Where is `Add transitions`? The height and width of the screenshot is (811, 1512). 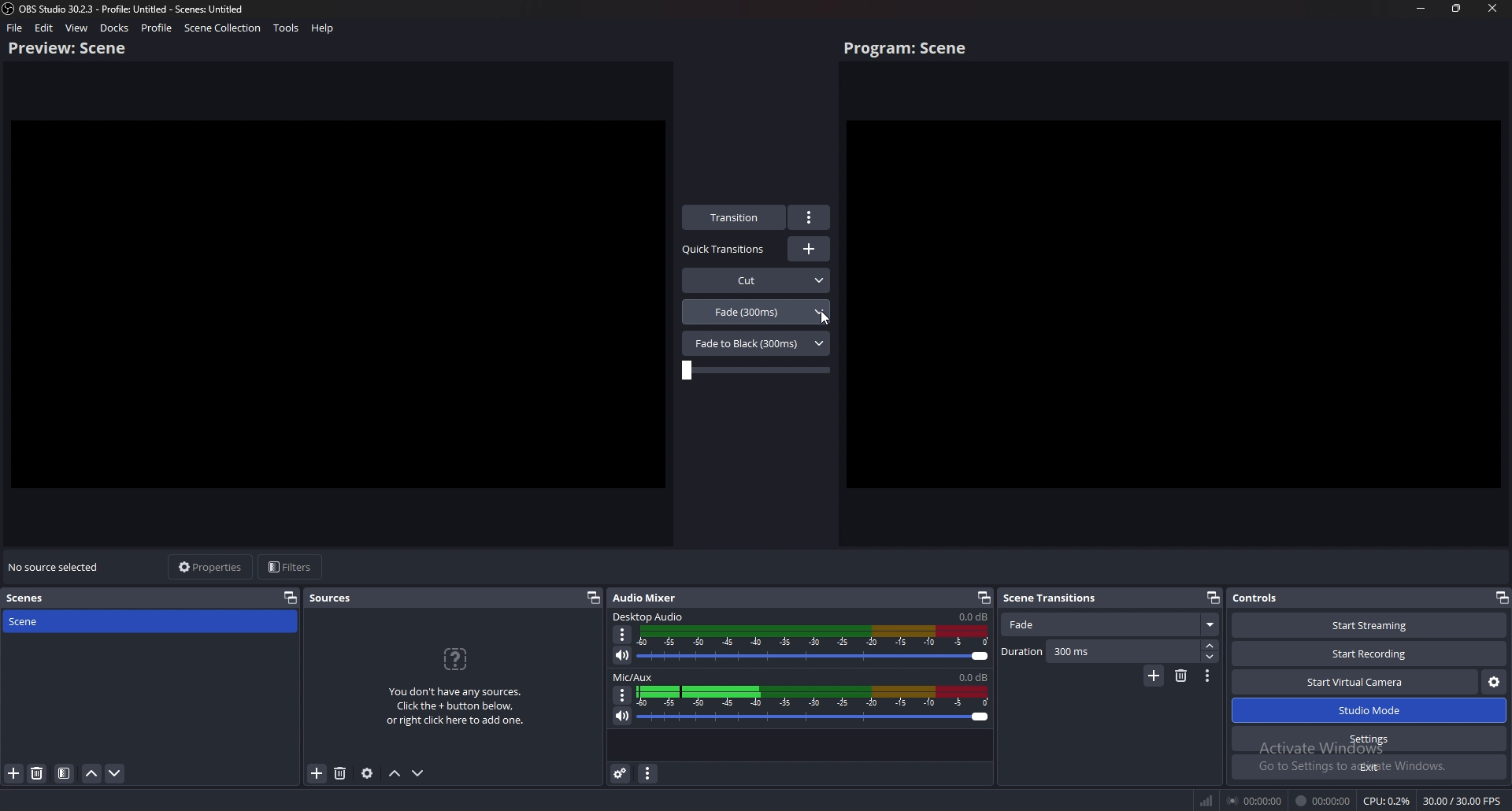
Add transitions is located at coordinates (809, 249).